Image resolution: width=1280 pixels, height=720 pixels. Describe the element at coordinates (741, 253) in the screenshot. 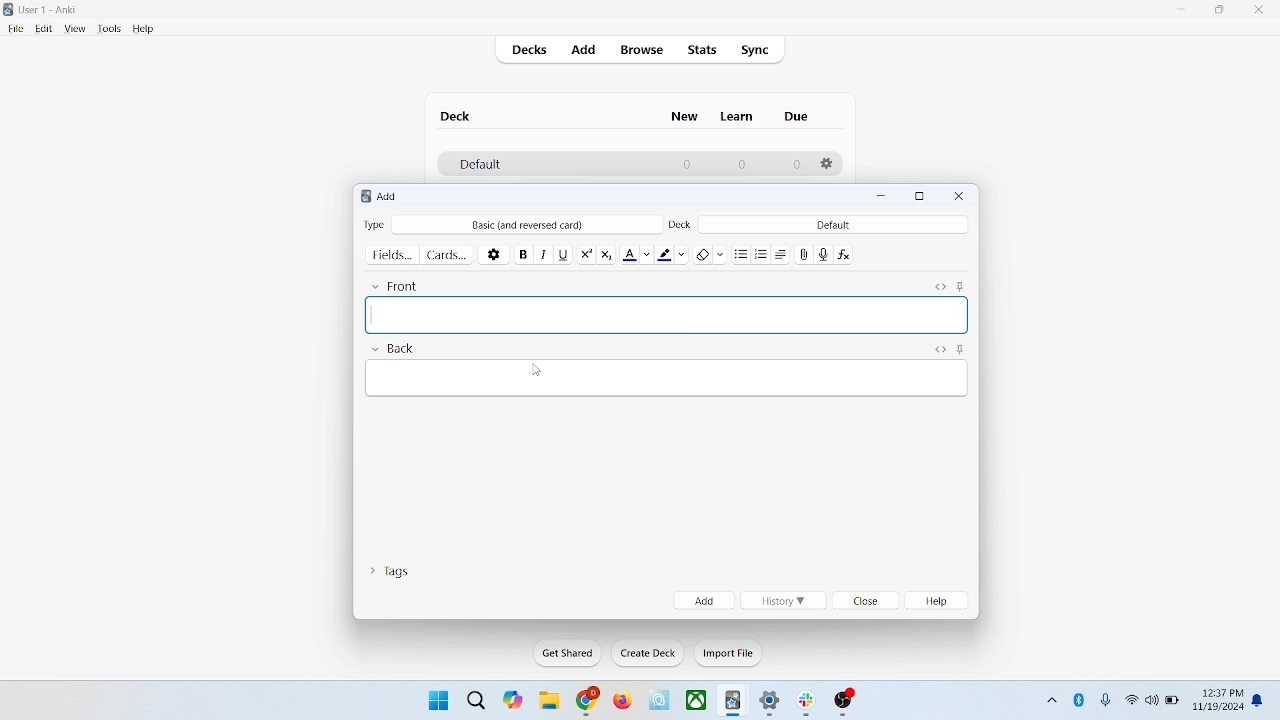

I see `unordered list` at that location.